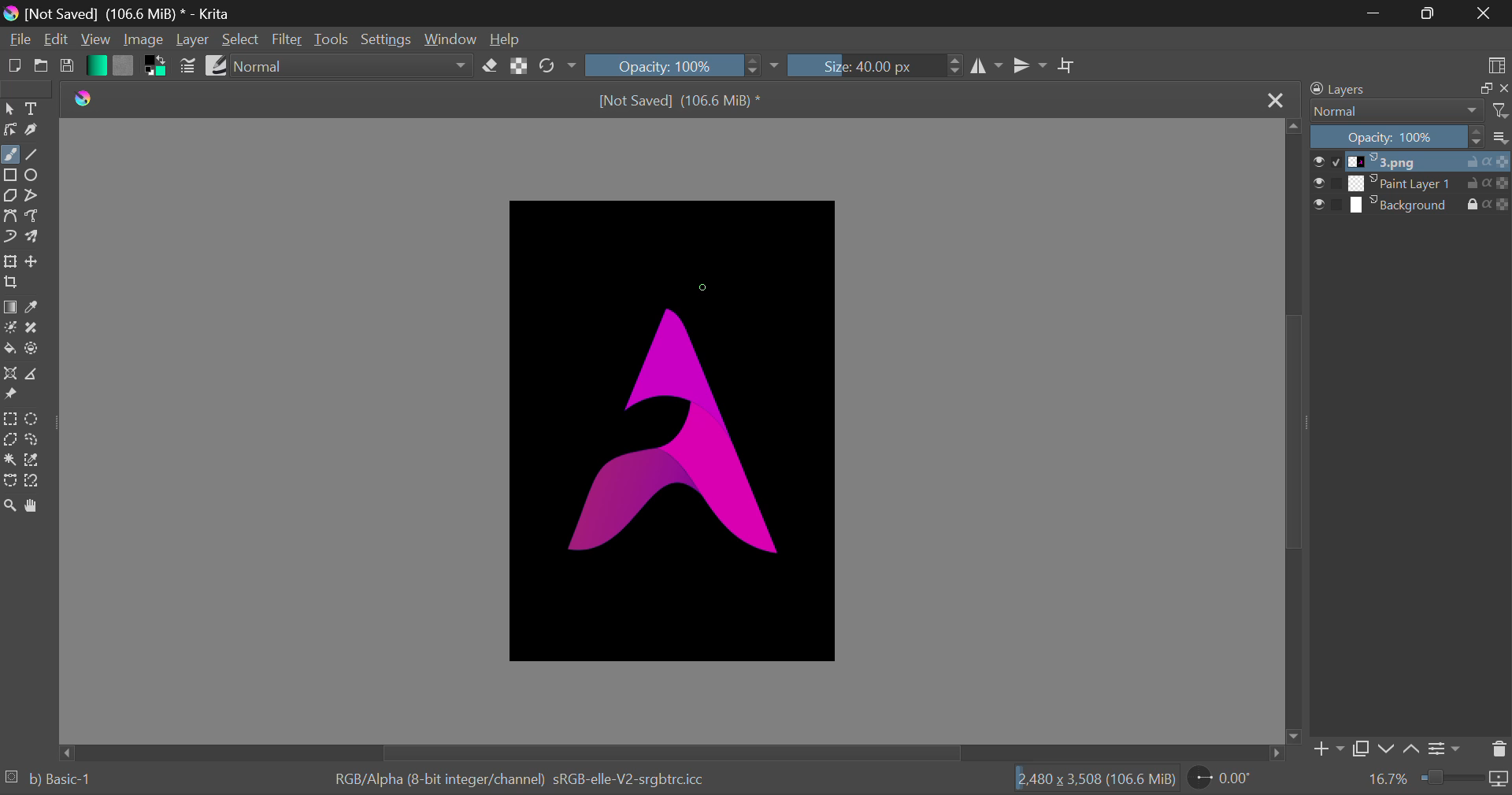 The width and height of the screenshot is (1512, 795). What do you see at coordinates (354, 65) in the screenshot?
I see `Blending Mode` at bounding box center [354, 65].